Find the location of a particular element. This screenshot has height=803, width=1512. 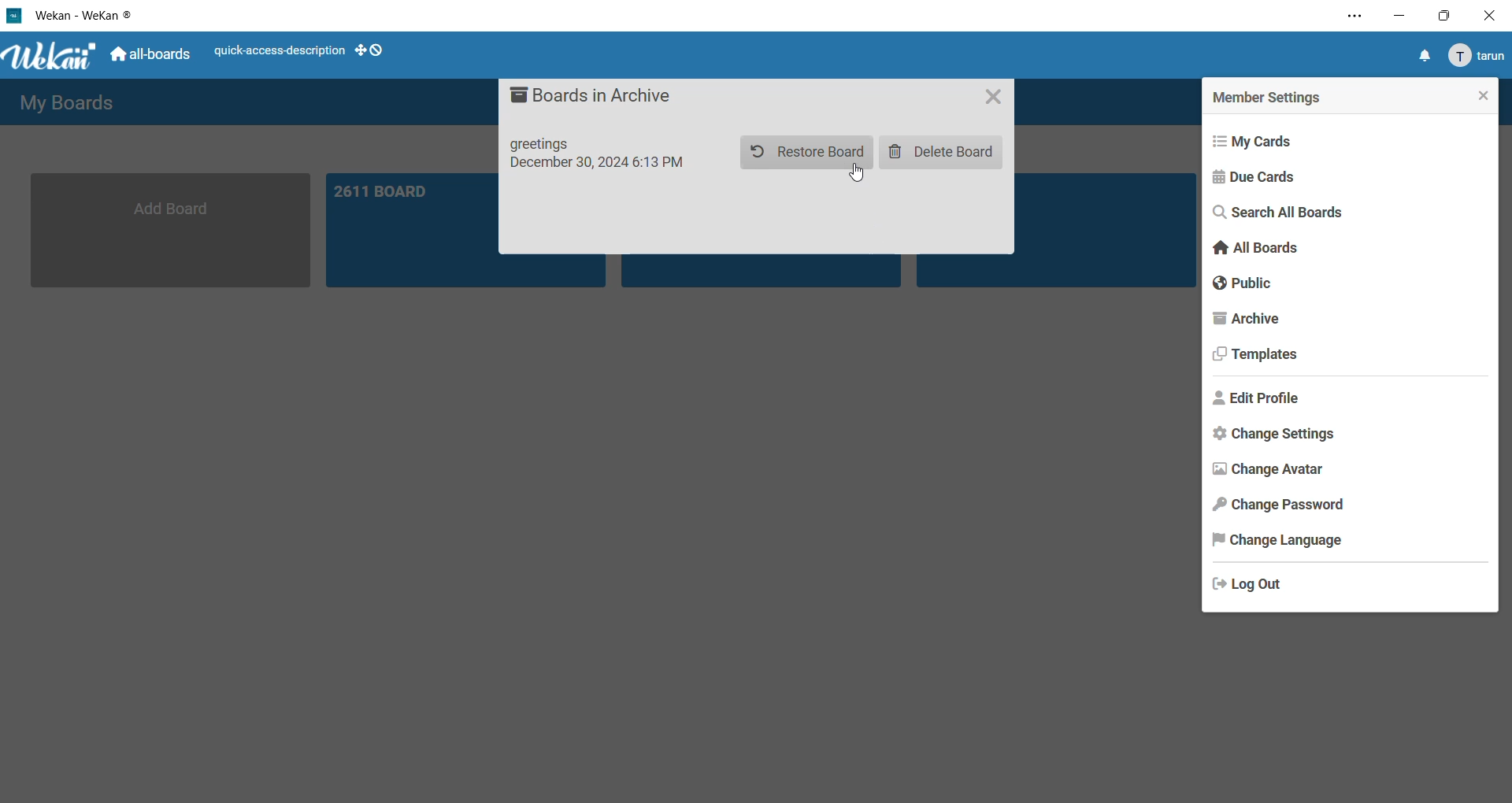

menu is located at coordinates (1475, 57).